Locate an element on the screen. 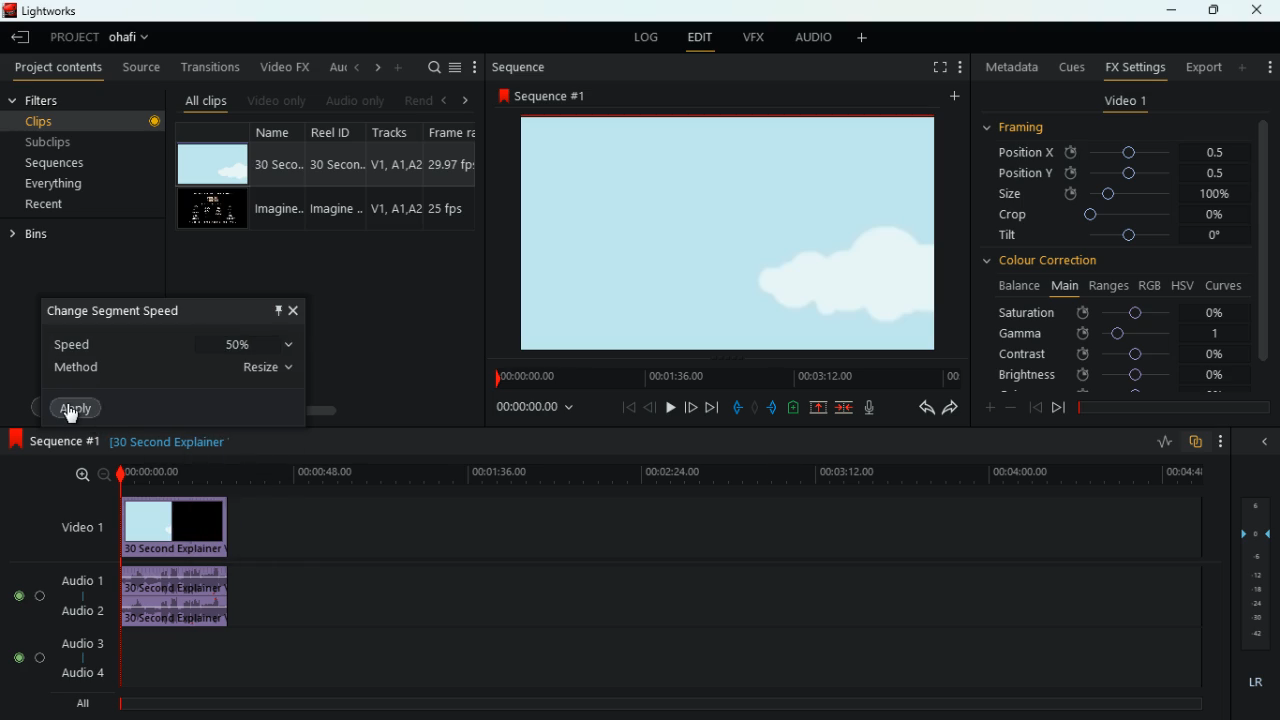 This screenshot has width=1280, height=720. forward is located at coordinates (691, 407).